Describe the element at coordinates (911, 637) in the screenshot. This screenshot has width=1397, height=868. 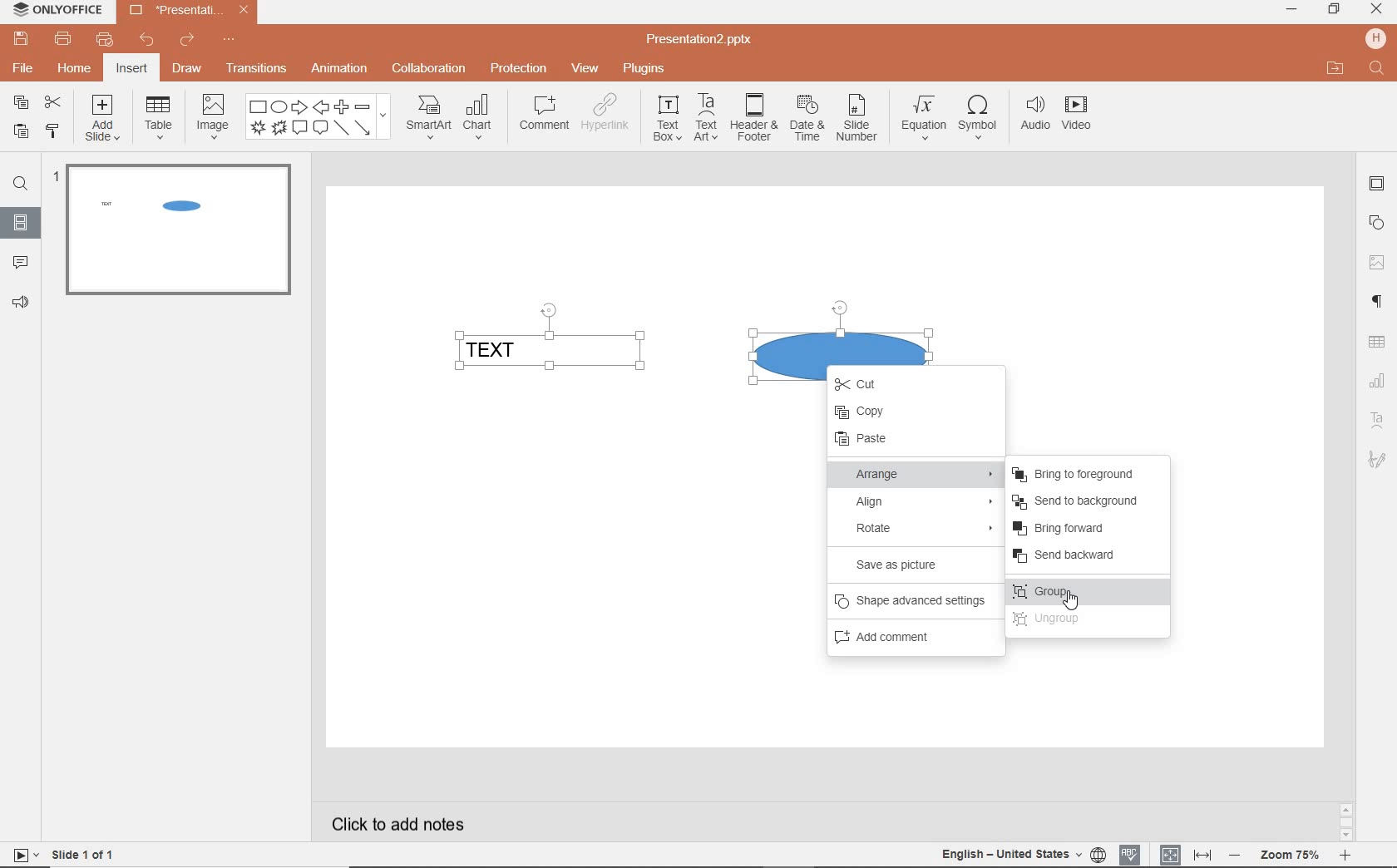
I see `ADD COMMENT` at that location.